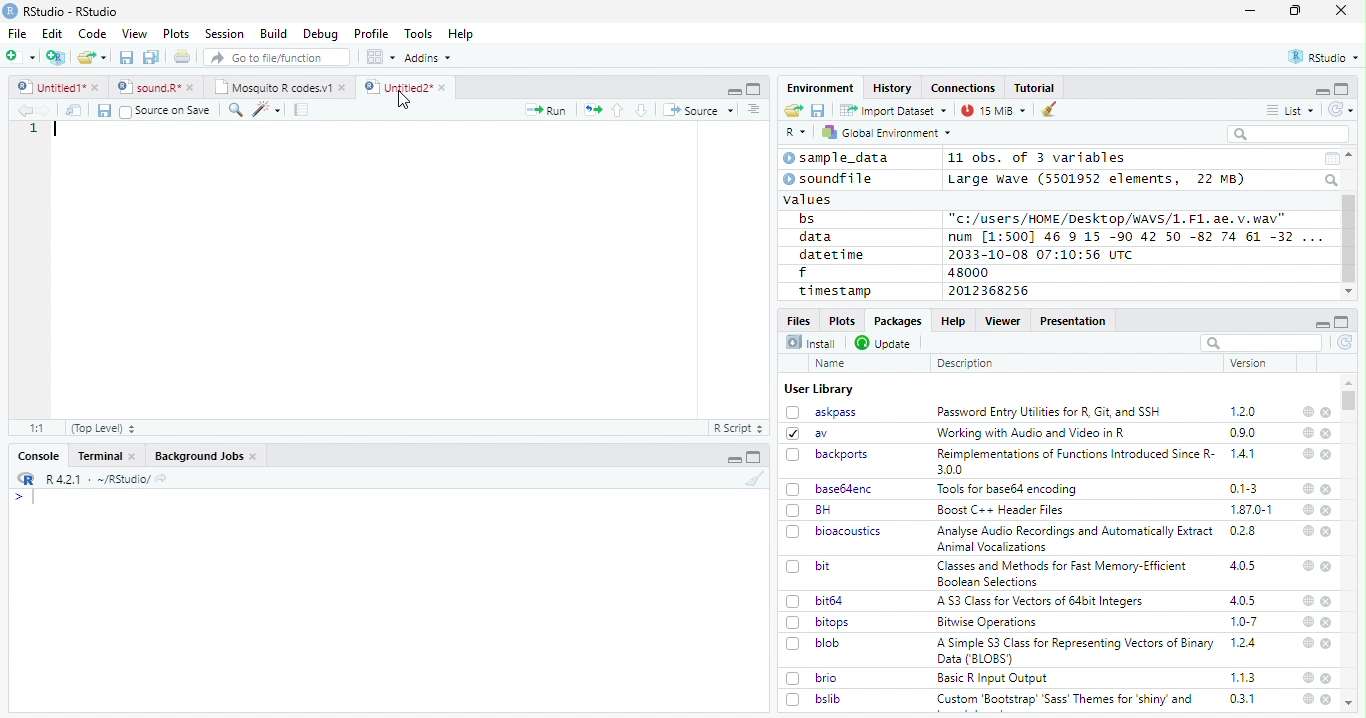 The width and height of the screenshot is (1366, 718). What do you see at coordinates (819, 111) in the screenshot?
I see `Save` at bounding box center [819, 111].